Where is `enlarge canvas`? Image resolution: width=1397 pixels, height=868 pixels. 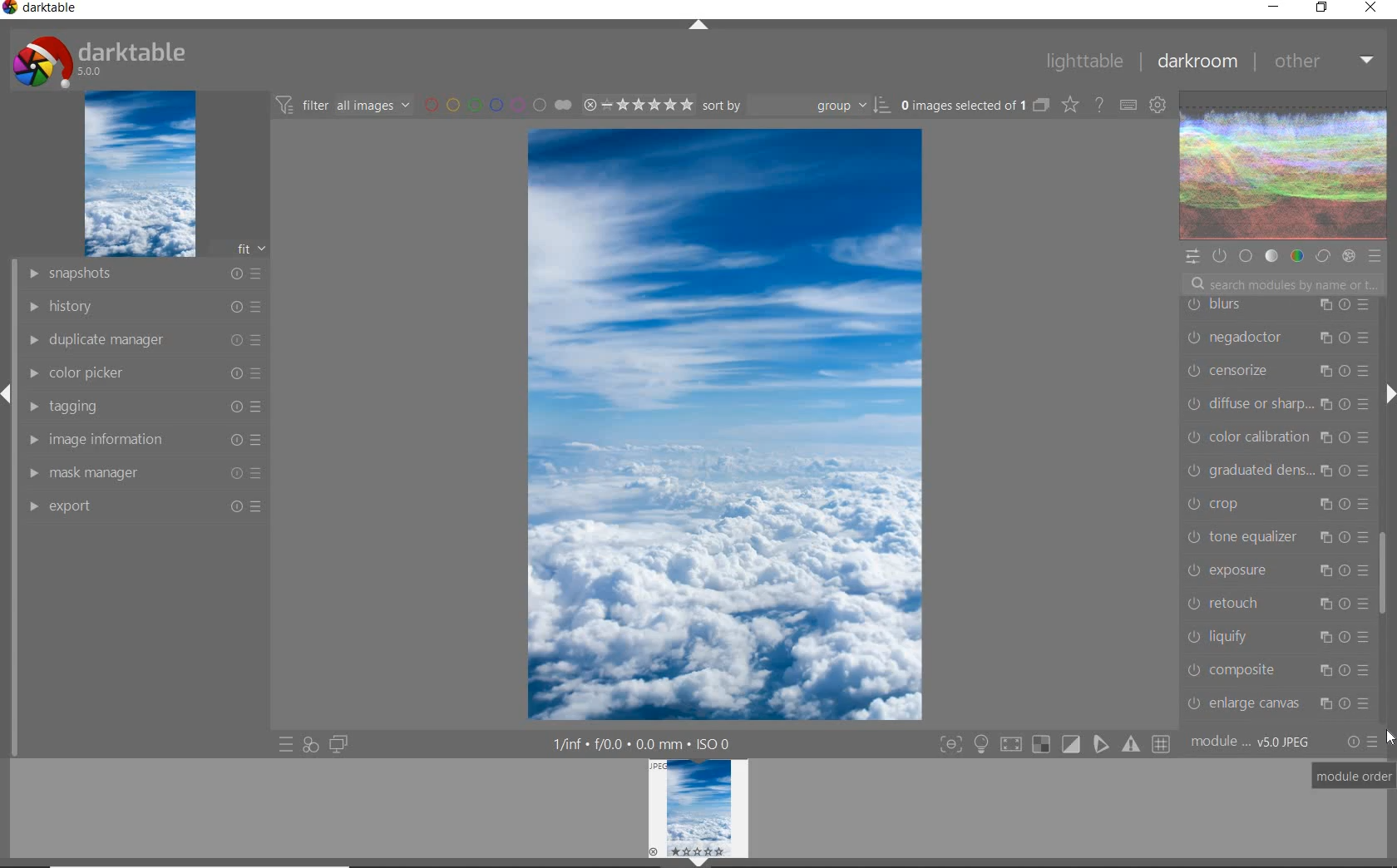 enlarge canvas is located at coordinates (1276, 703).